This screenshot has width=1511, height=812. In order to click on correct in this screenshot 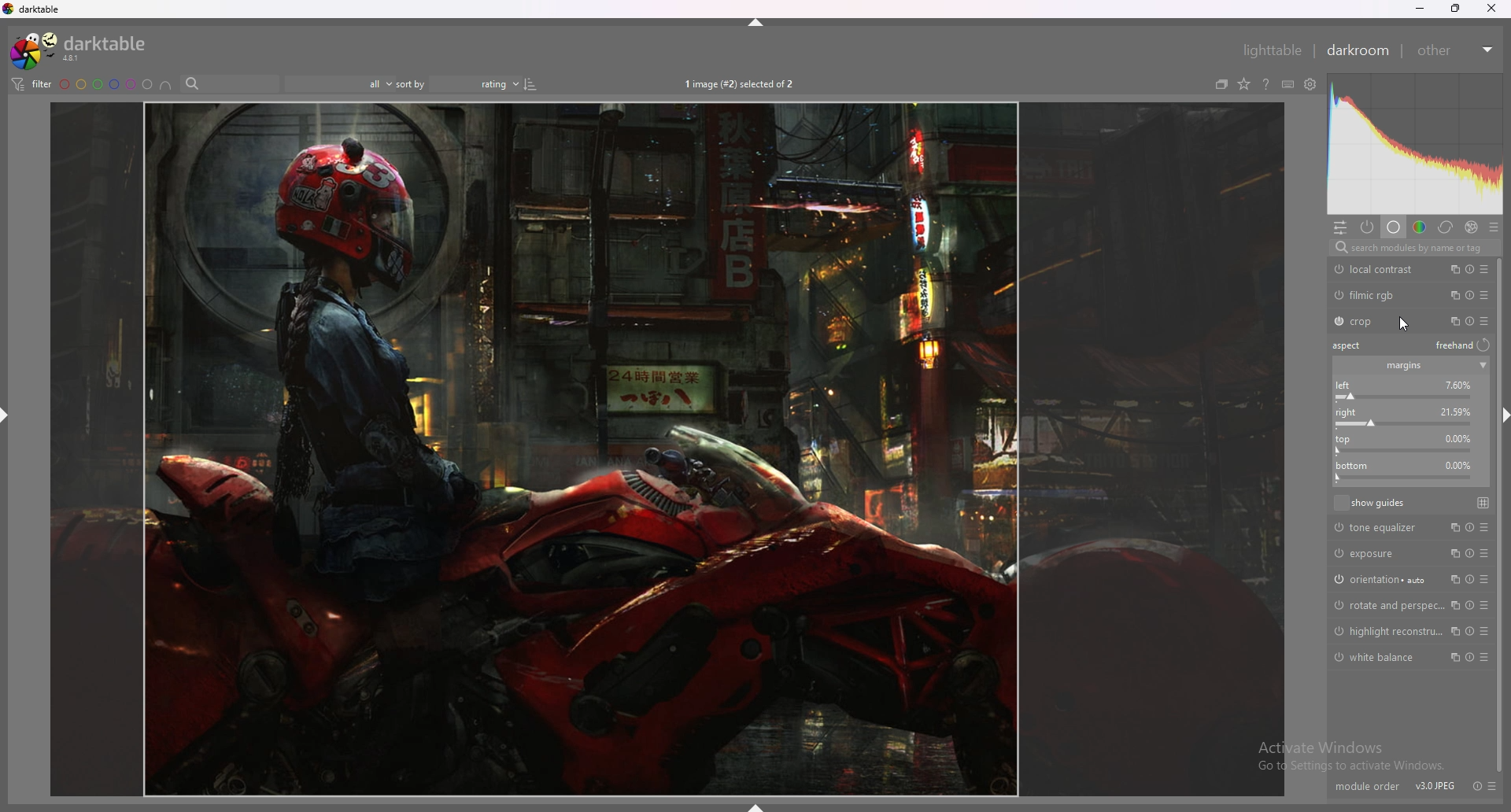, I will do `click(1446, 227)`.